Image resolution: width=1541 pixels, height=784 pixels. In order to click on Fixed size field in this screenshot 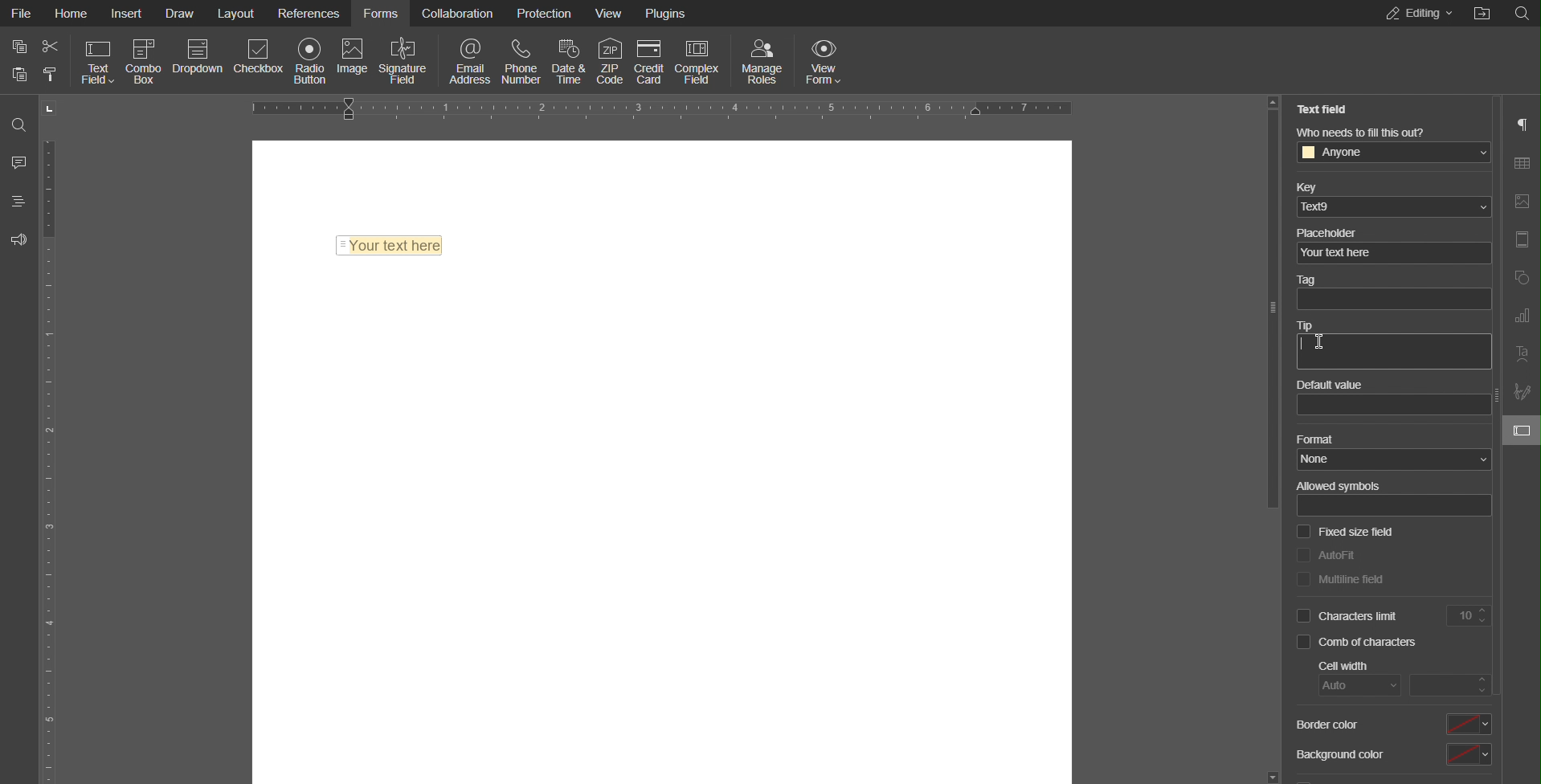, I will do `click(1359, 531)`.